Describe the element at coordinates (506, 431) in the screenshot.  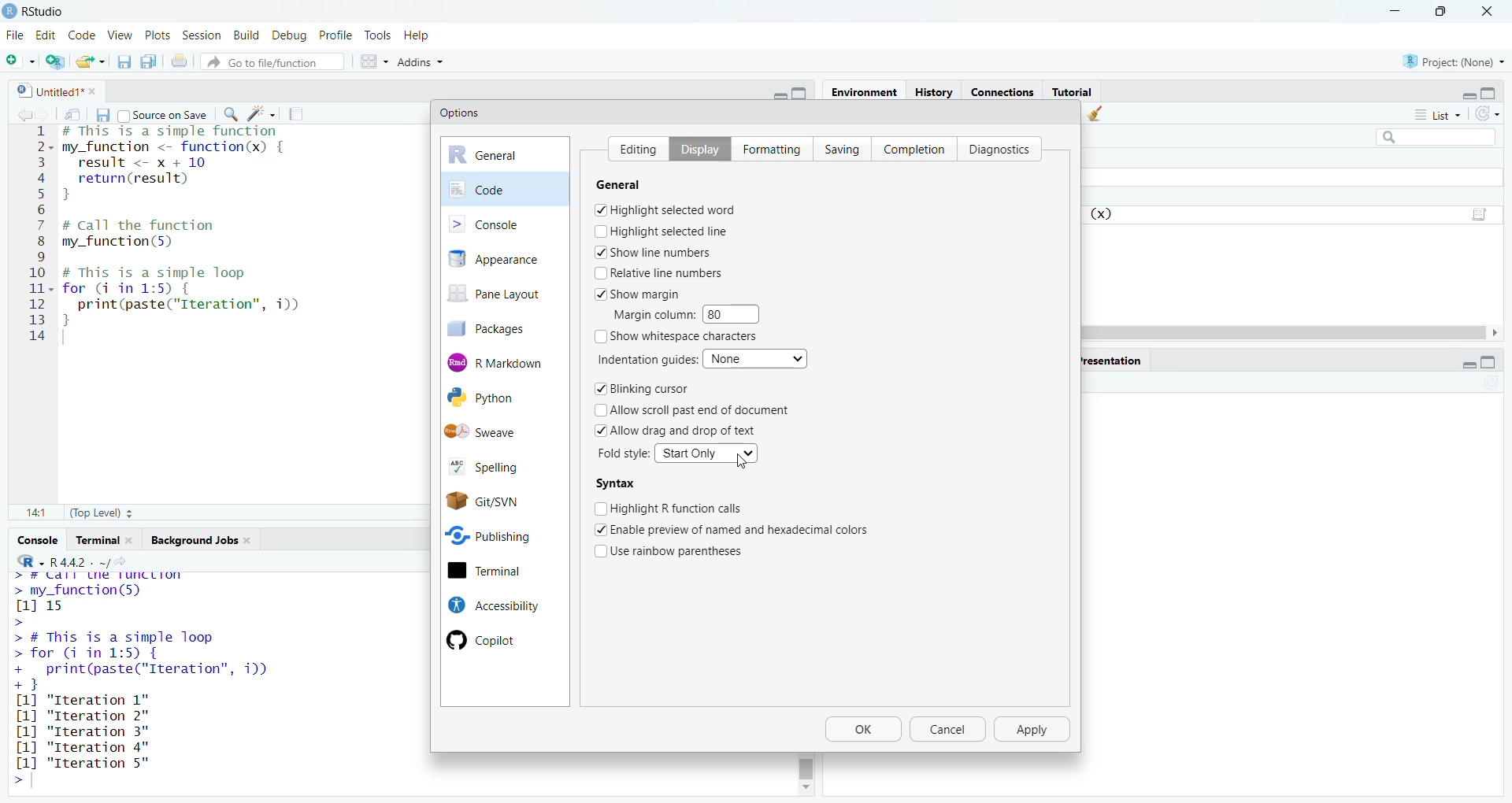
I see `Sweave` at that location.